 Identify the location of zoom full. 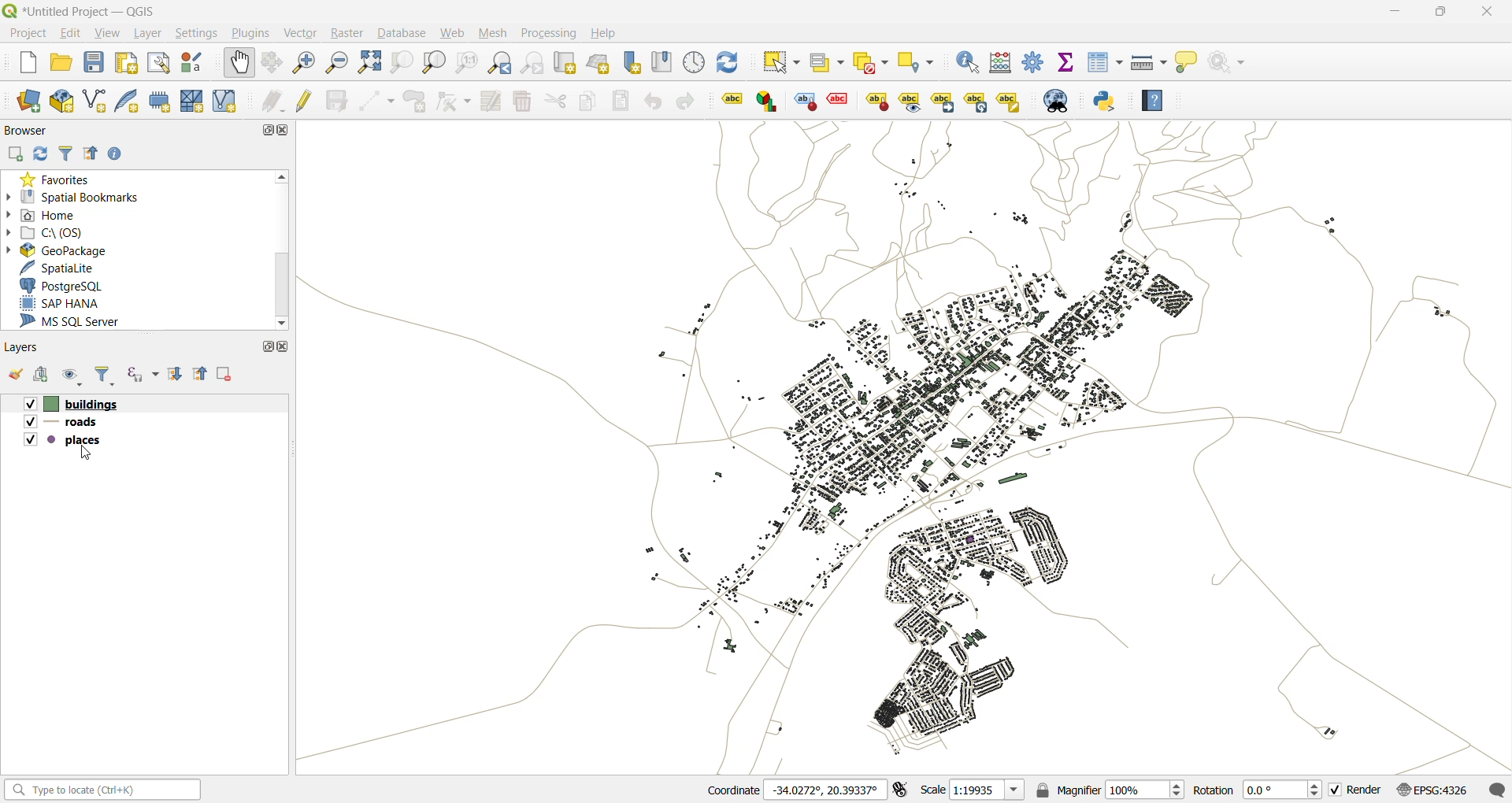
(367, 62).